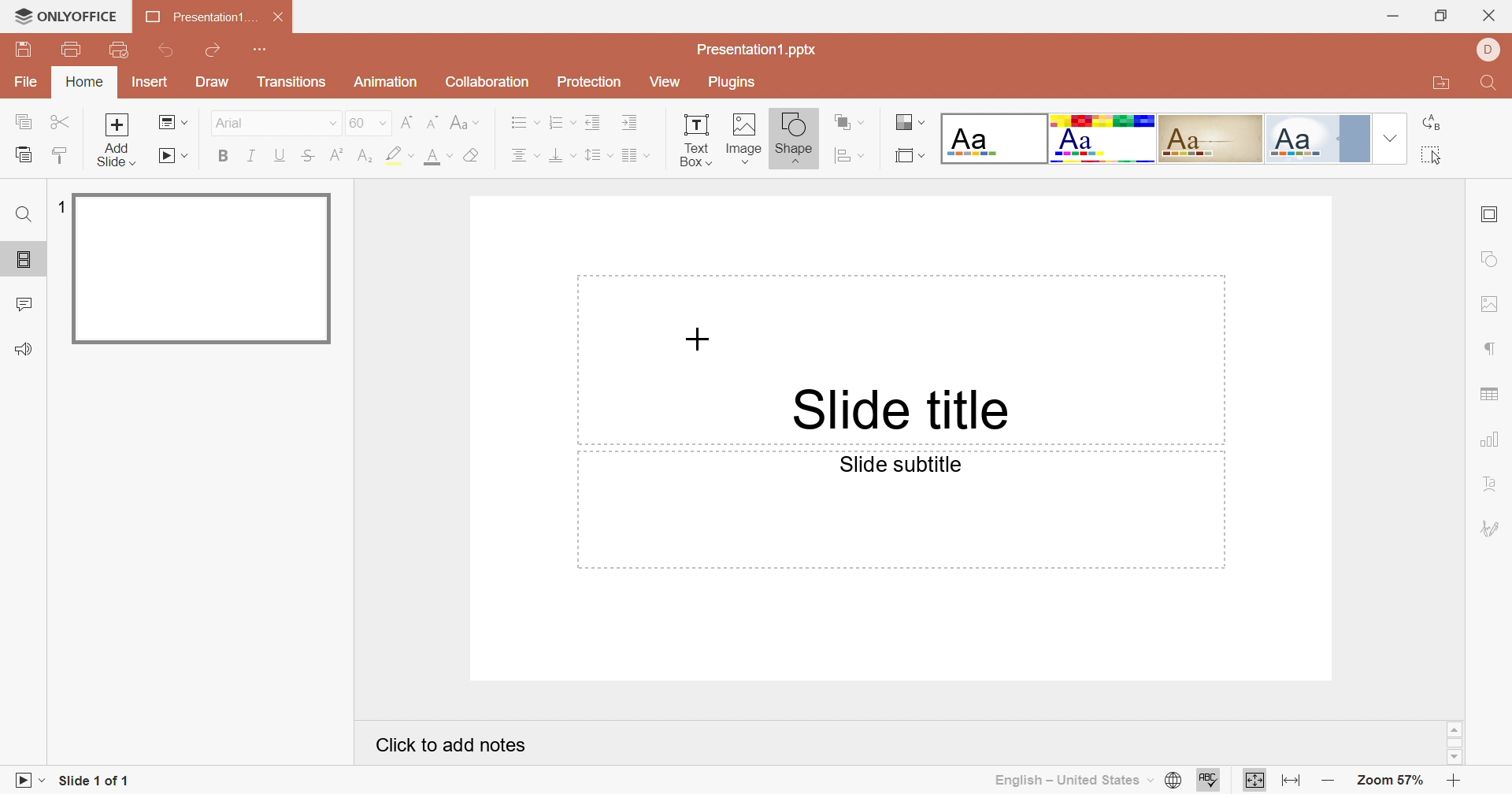  I want to click on Scroll down, so click(1456, 759).